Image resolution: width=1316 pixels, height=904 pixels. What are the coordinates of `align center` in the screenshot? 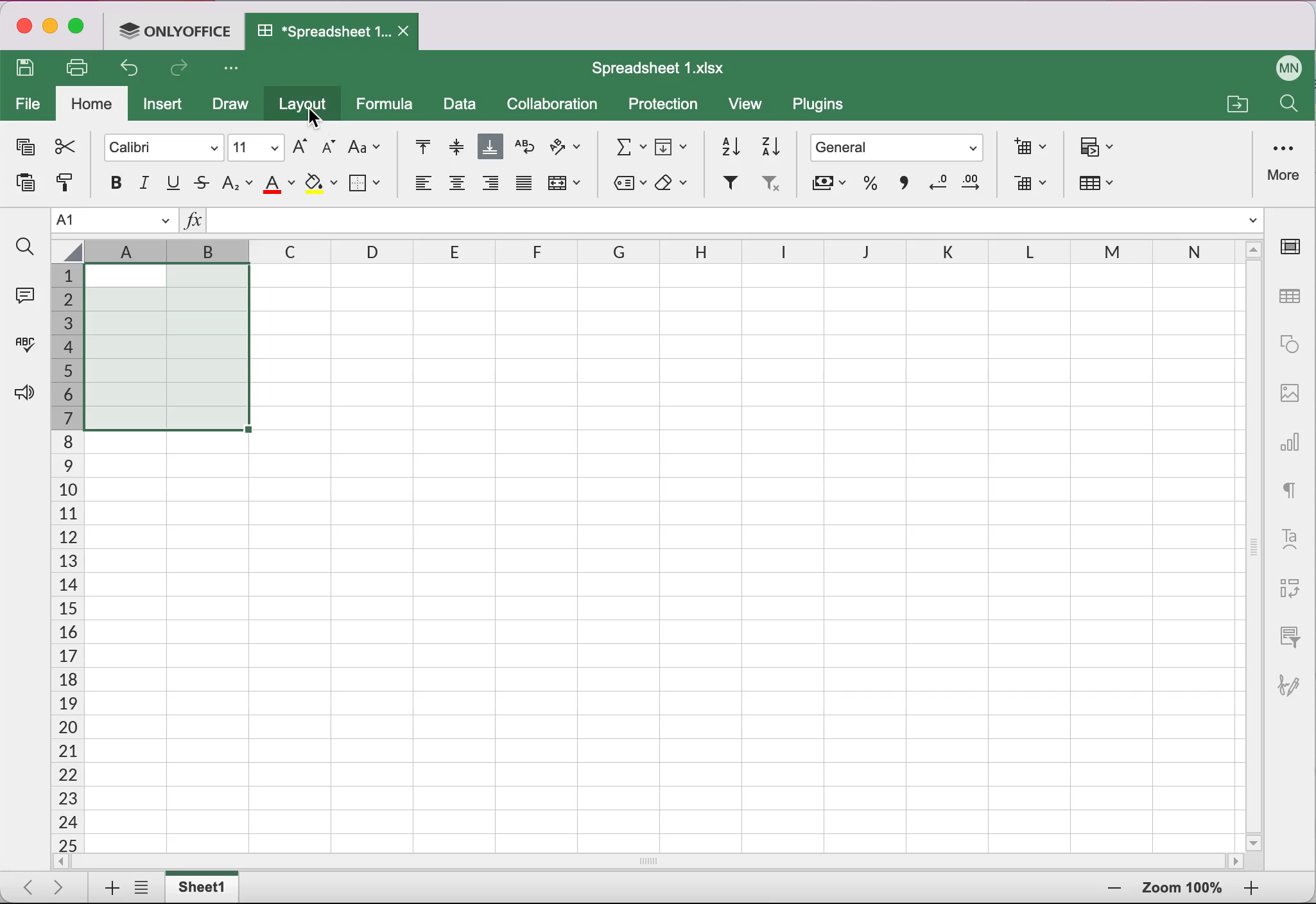 It's located at (457, 187).